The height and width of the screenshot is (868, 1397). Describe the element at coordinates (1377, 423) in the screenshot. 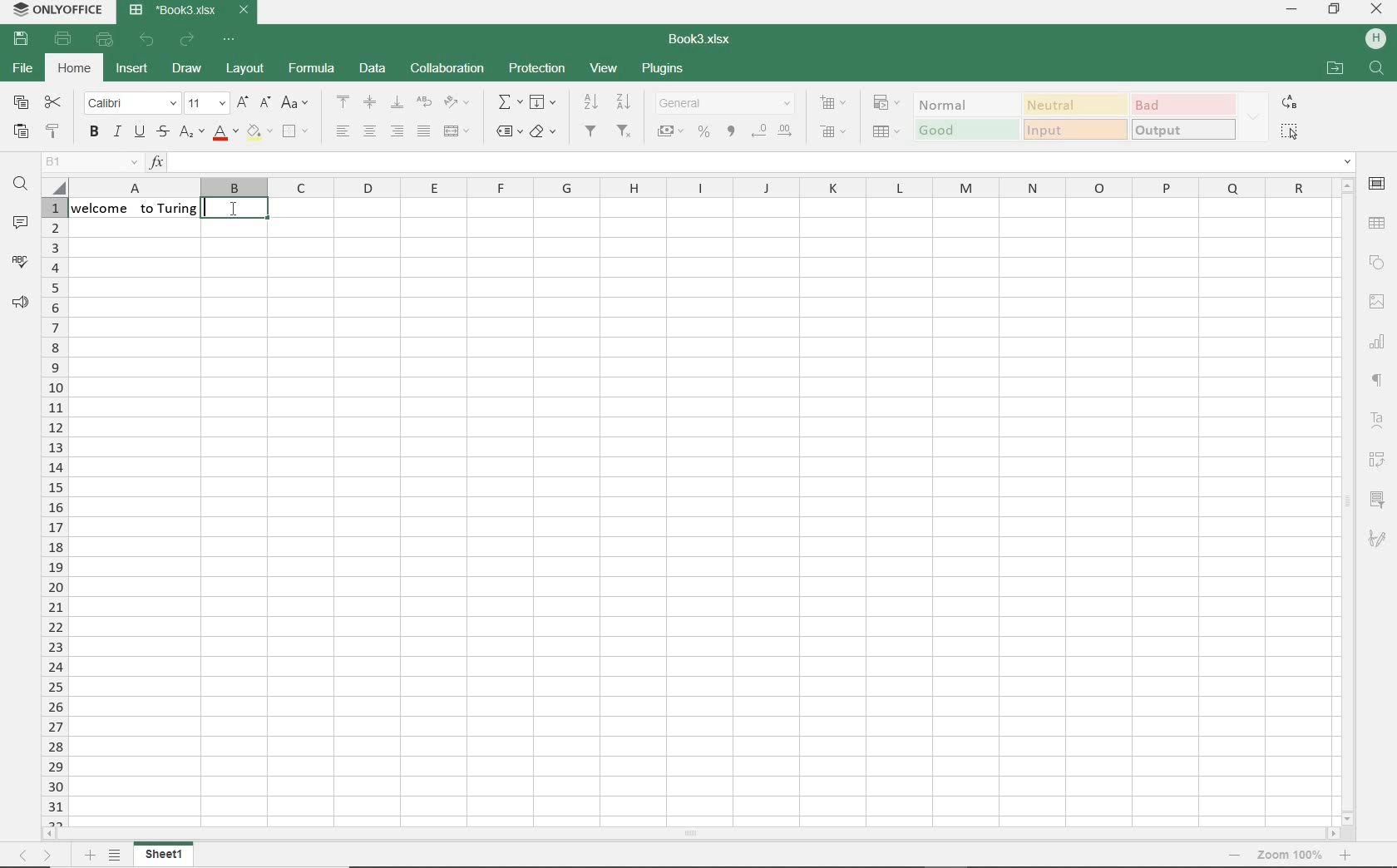

I see `text art` at that location.